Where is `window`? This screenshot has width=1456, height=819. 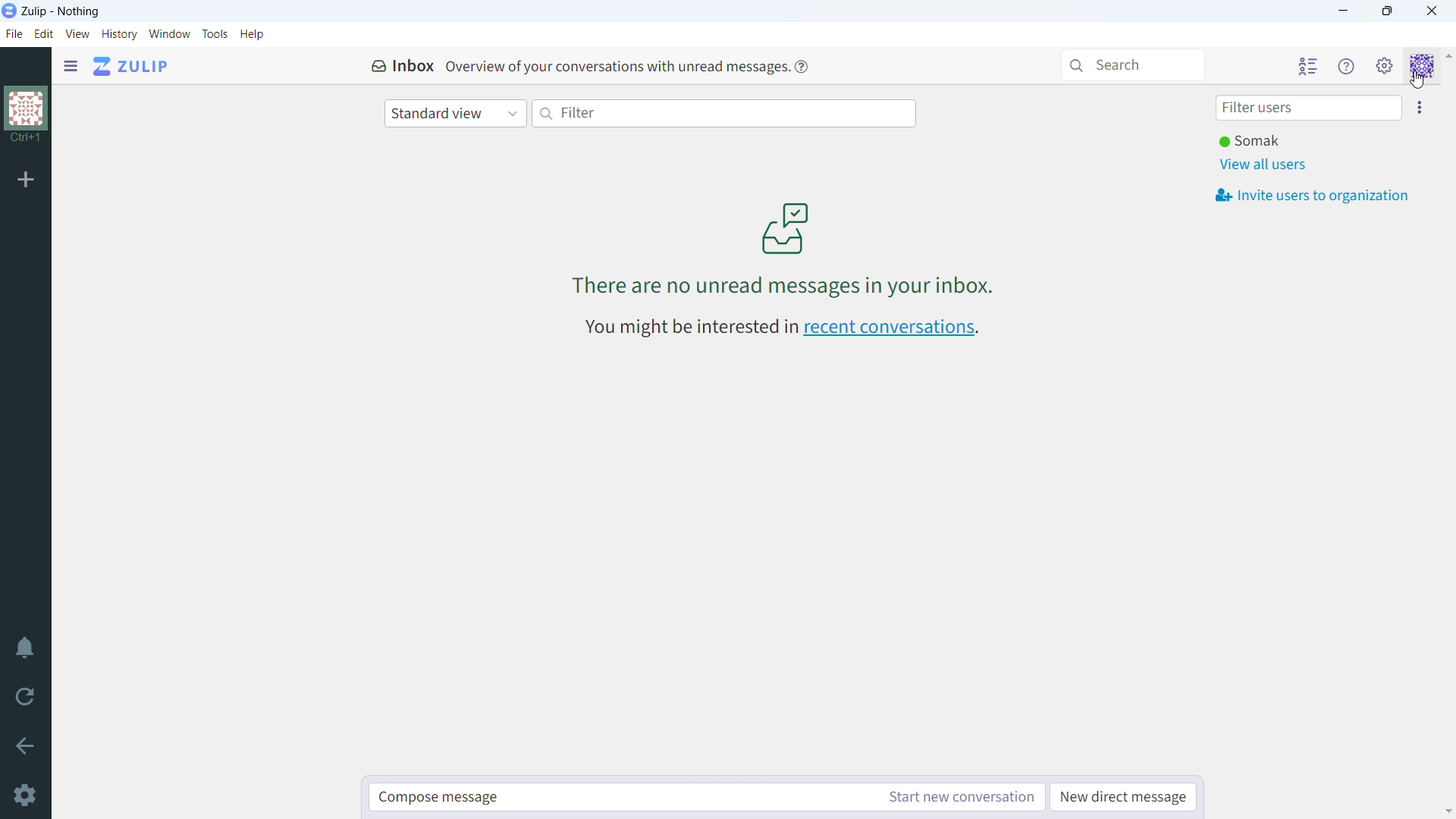
window is located at coordinates (171, 34).